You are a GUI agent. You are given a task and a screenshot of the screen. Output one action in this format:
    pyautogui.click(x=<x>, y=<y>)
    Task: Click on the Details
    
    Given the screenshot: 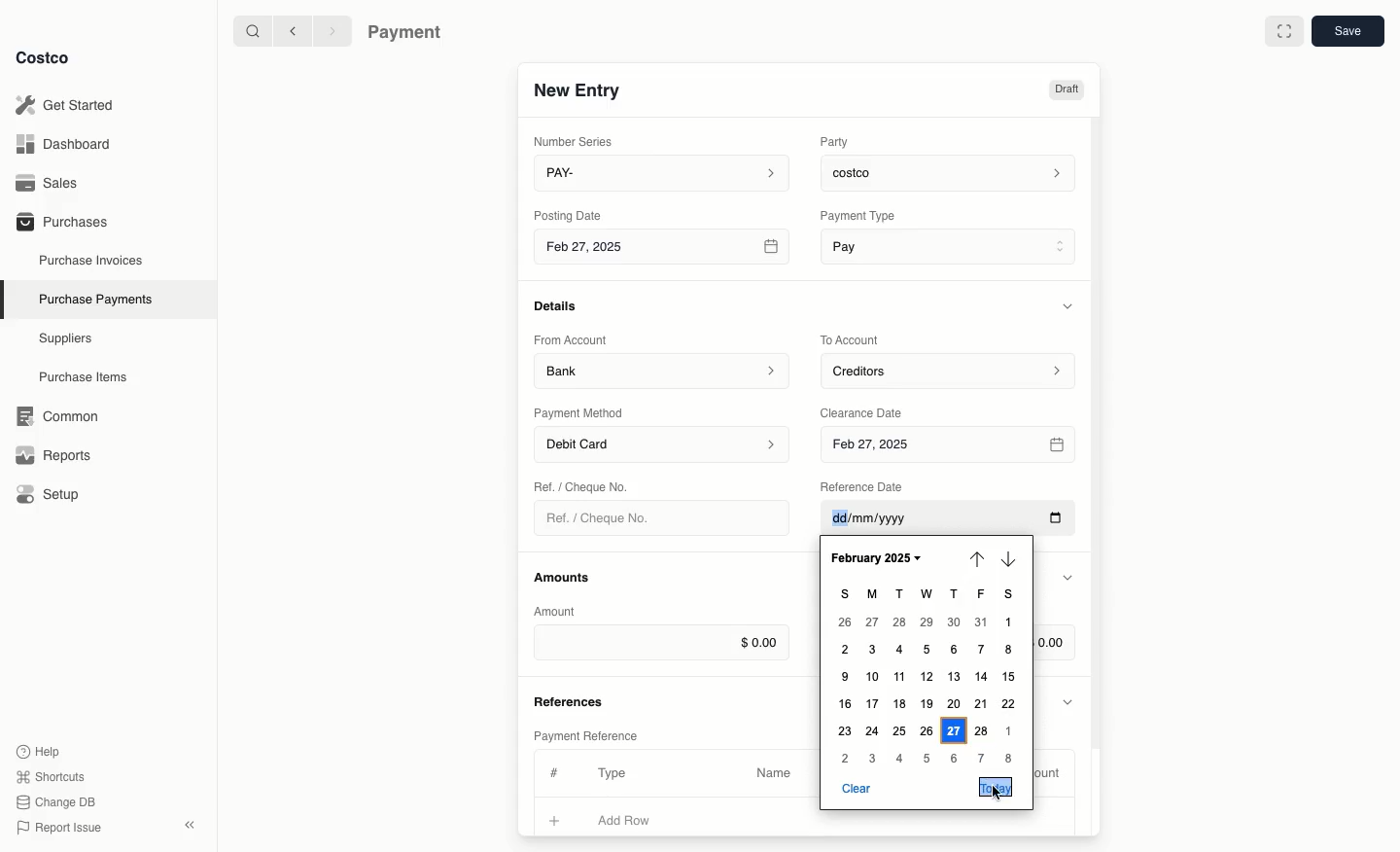 What is the action you would take?
    pyautogui.click(x=561, y=305)
    